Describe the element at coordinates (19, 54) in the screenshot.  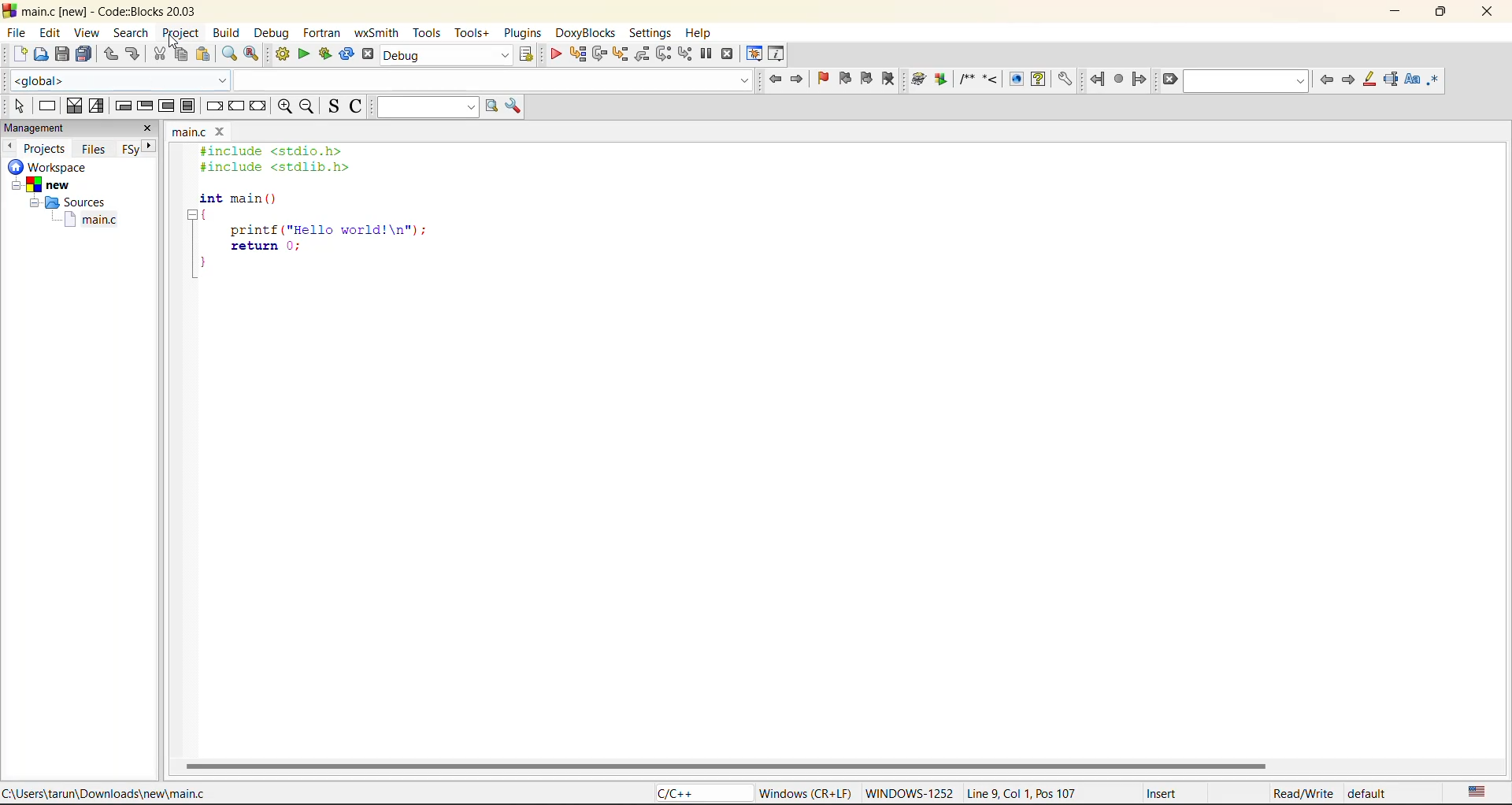
I see `new` at that location.